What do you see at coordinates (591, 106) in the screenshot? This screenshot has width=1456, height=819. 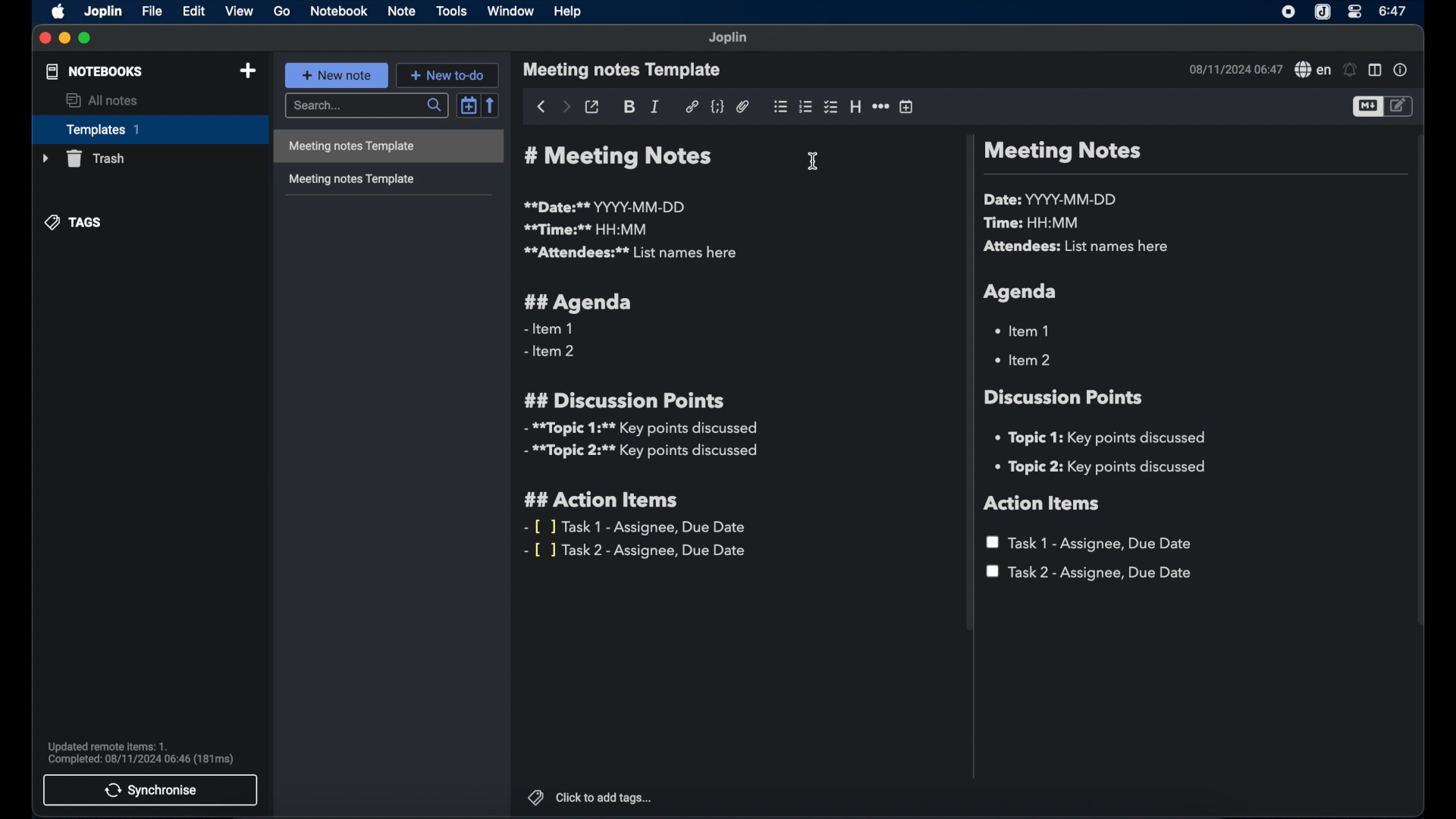 I see `toggle external editing` at bounding box center [591, 106].